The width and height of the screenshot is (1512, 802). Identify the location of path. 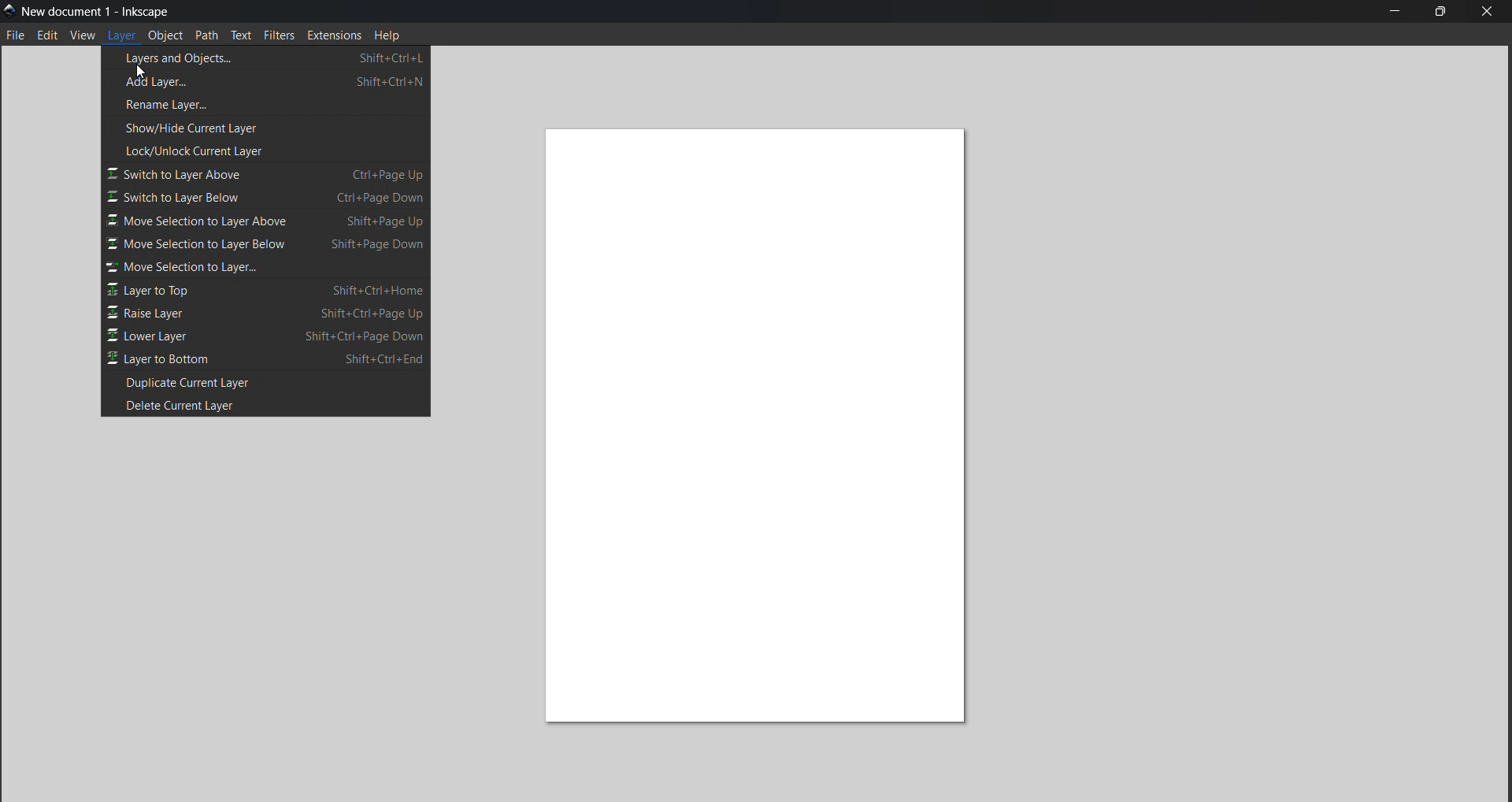
(209, 36).